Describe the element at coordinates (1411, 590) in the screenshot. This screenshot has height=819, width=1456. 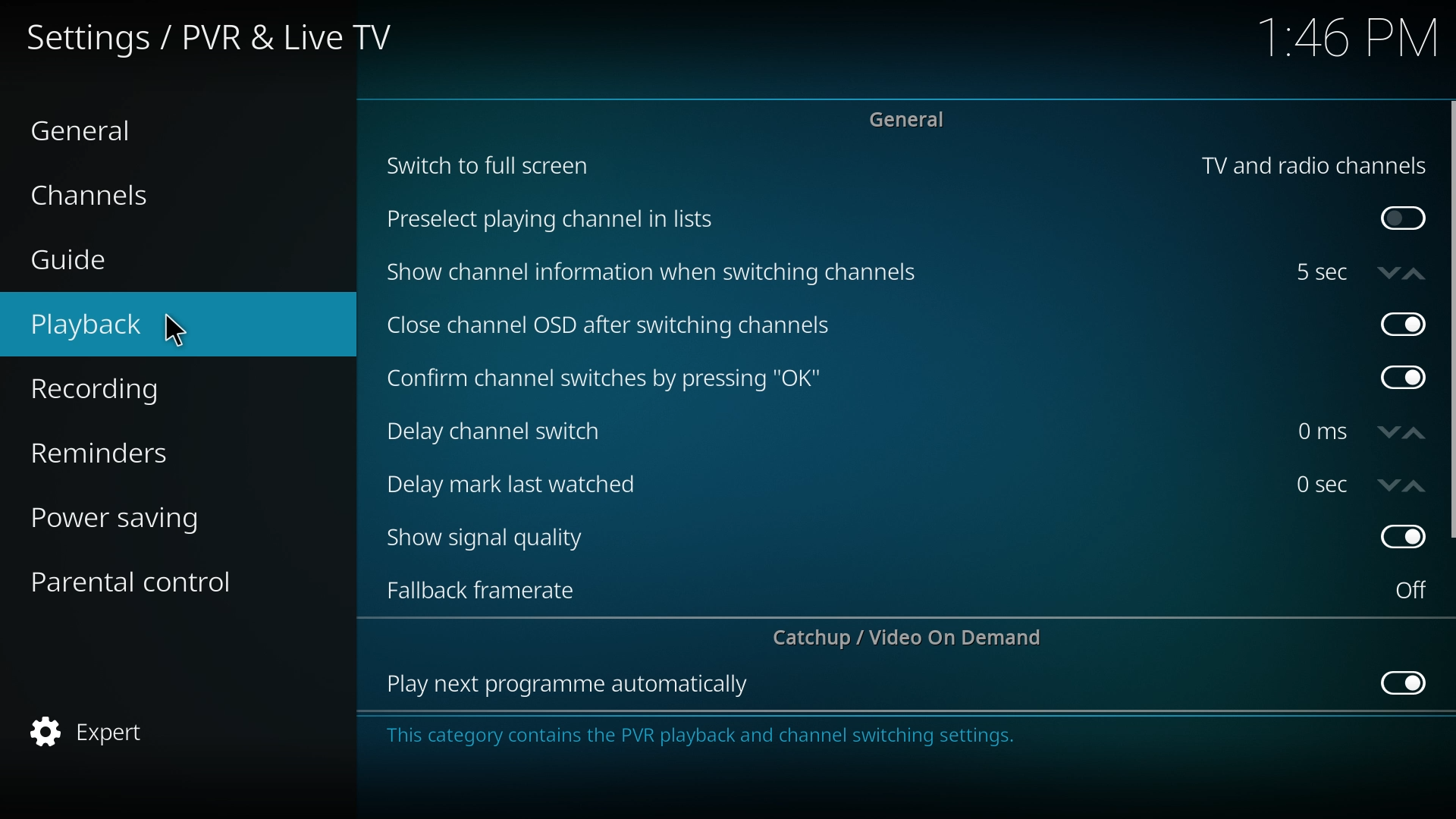
I see `on` at that location.